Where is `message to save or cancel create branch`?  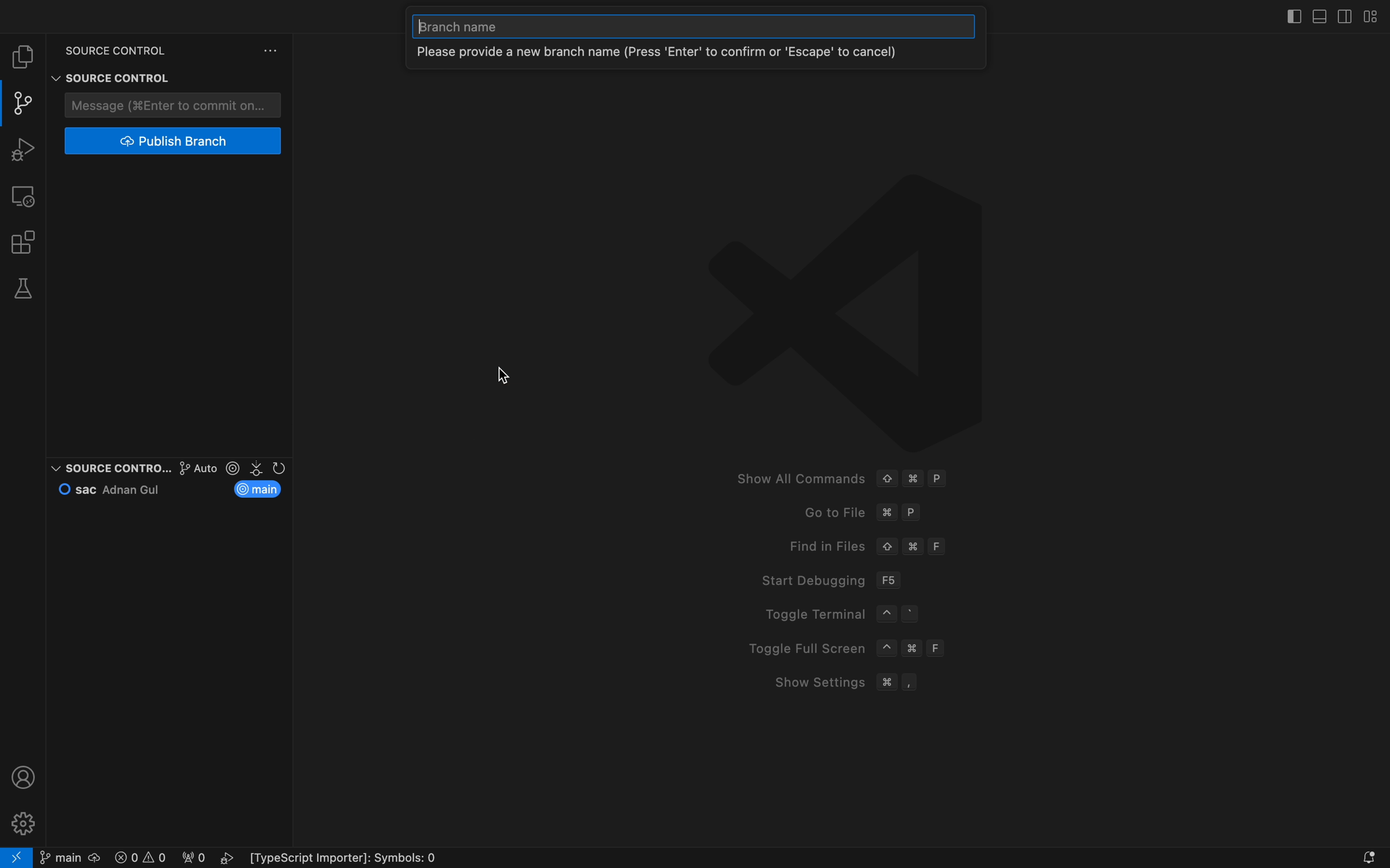 message to save or cancel create branch is located at coordinates (679, 55).